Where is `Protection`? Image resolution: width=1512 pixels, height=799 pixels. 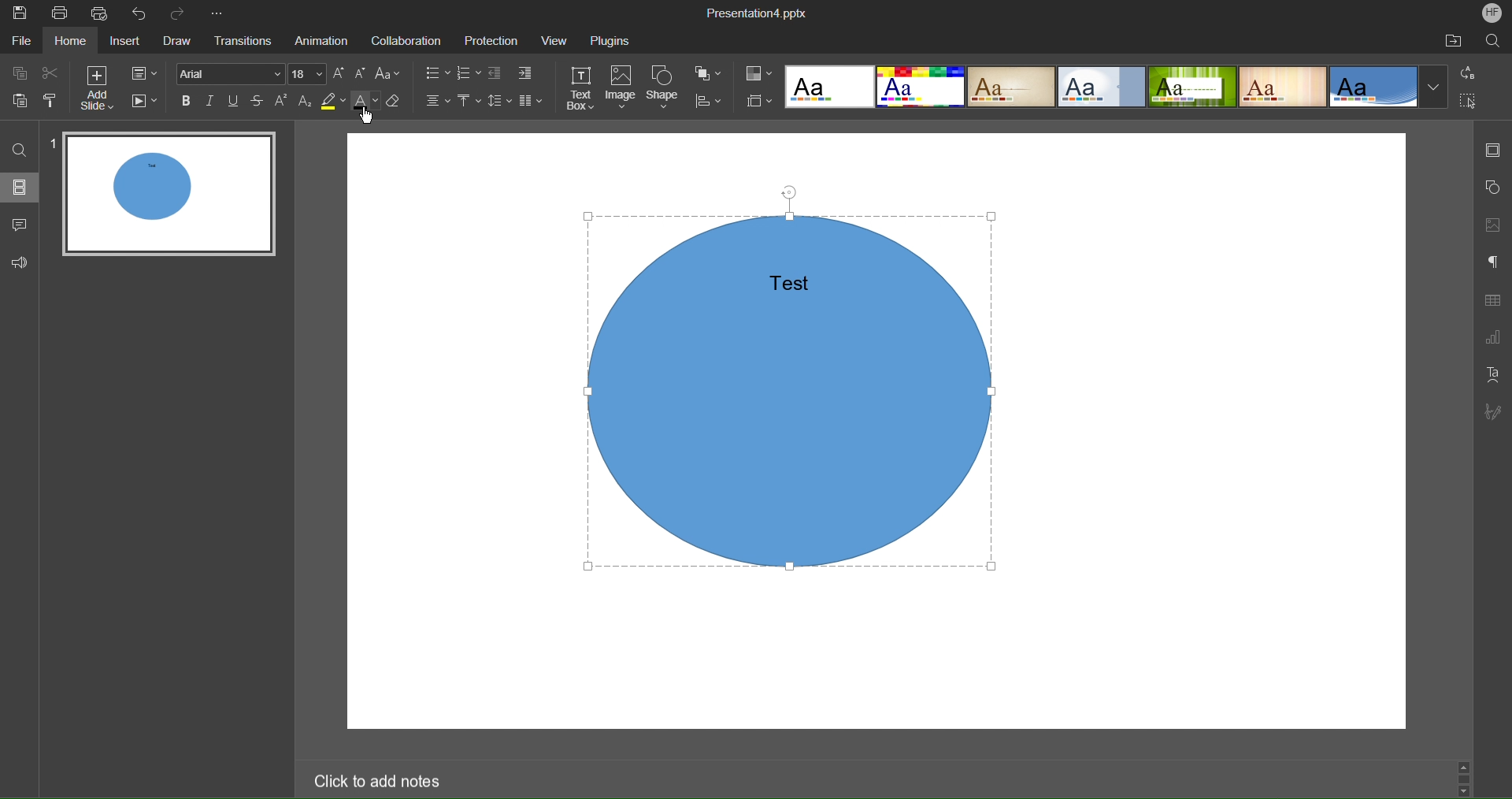
Protection is located at coordinates (490, 40).